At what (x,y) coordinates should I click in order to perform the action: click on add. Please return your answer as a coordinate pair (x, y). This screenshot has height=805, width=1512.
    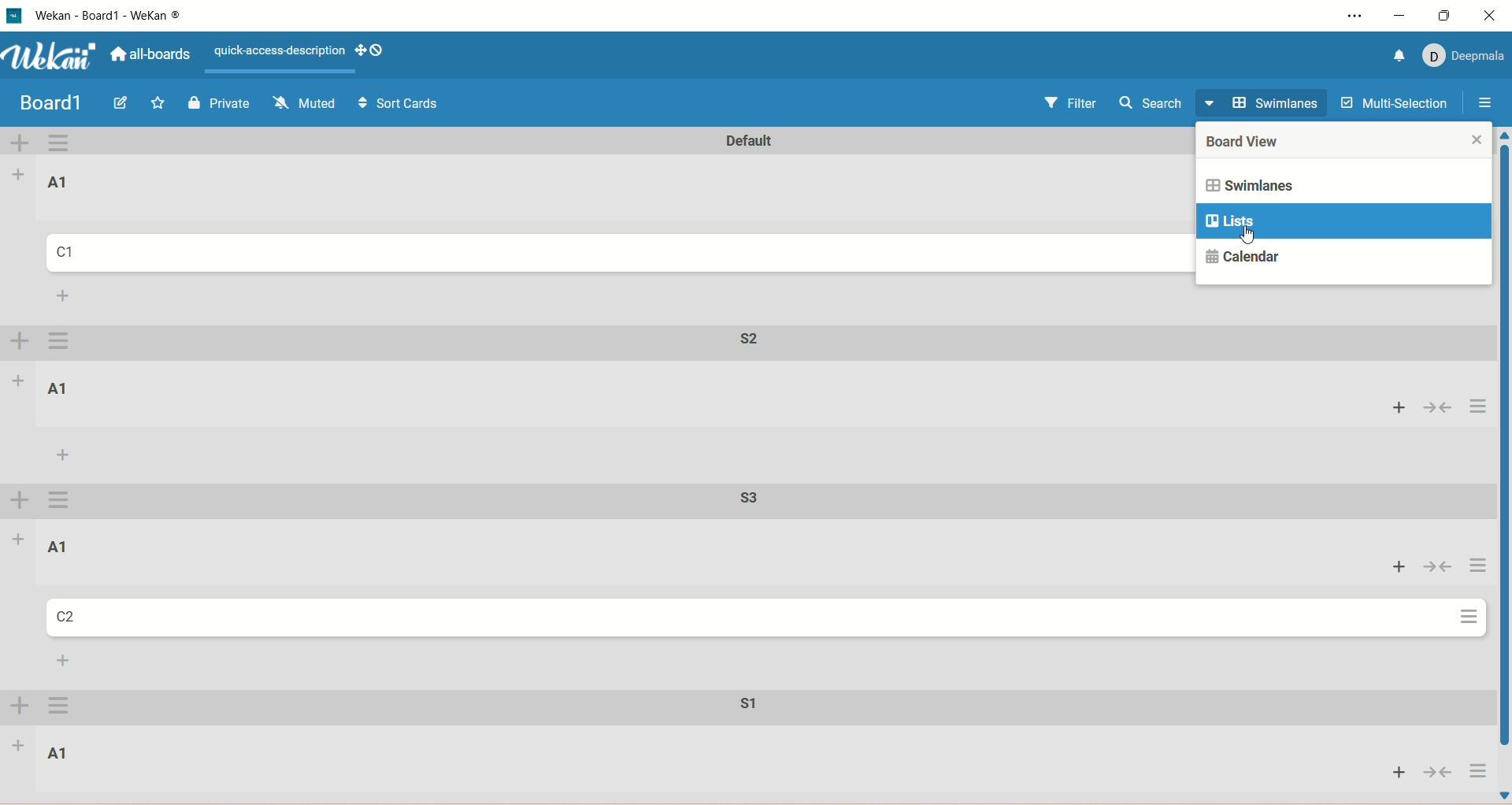
    Looking at the image, I should click on (63, 454).